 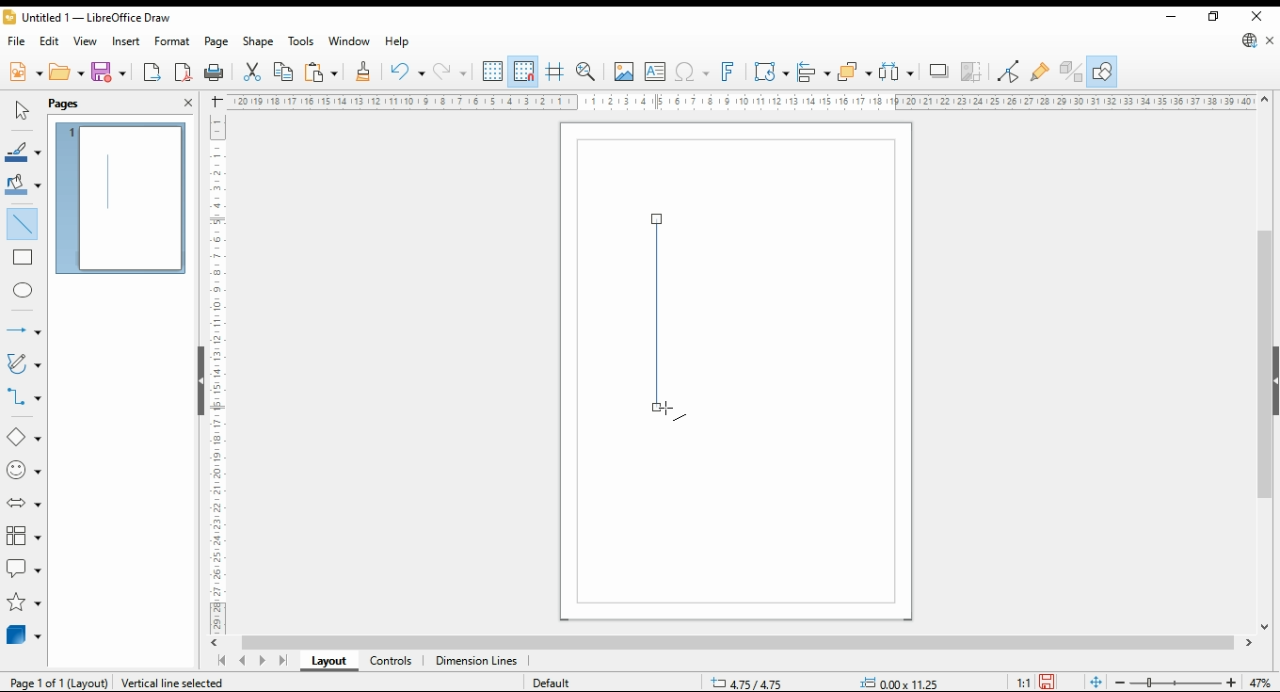 What do you see at coordinates (690, 72) in the screenshot?
I see `insert special character` at bounding box center [690, 72].